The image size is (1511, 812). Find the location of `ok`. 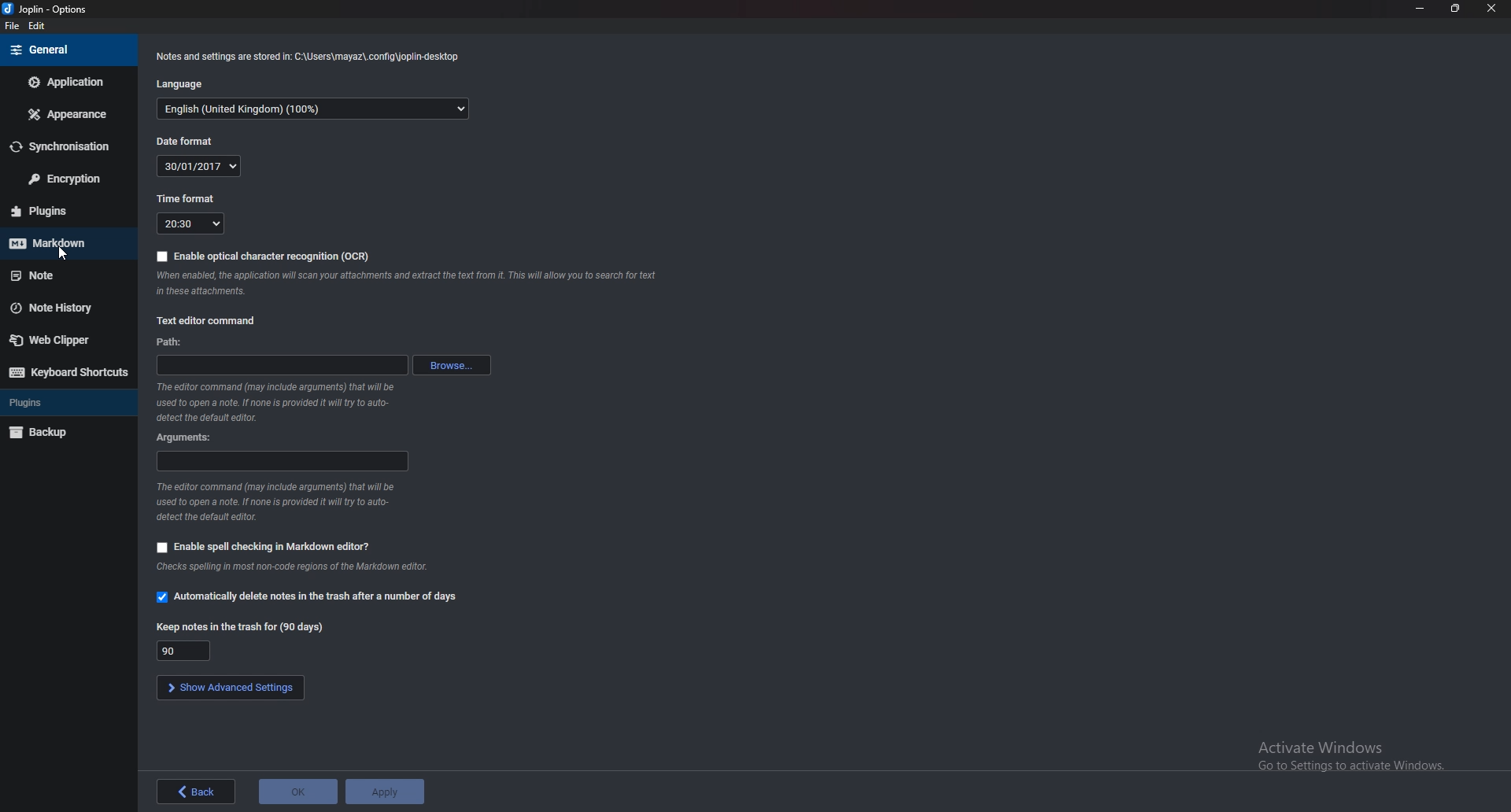

ok is located at coordinates (297, 792).